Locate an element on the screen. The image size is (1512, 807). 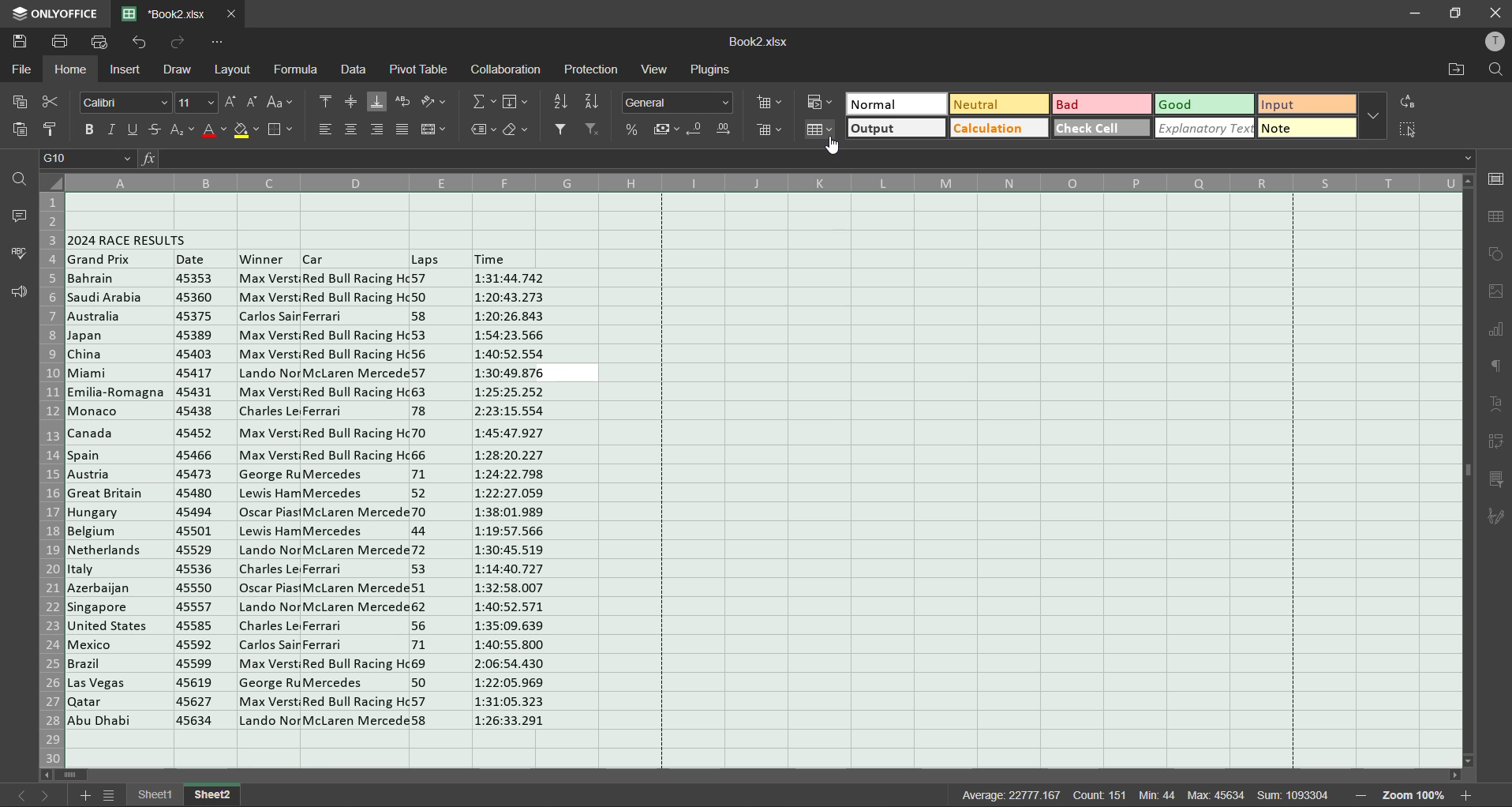
merge and center is located at coordinates (436, 130).